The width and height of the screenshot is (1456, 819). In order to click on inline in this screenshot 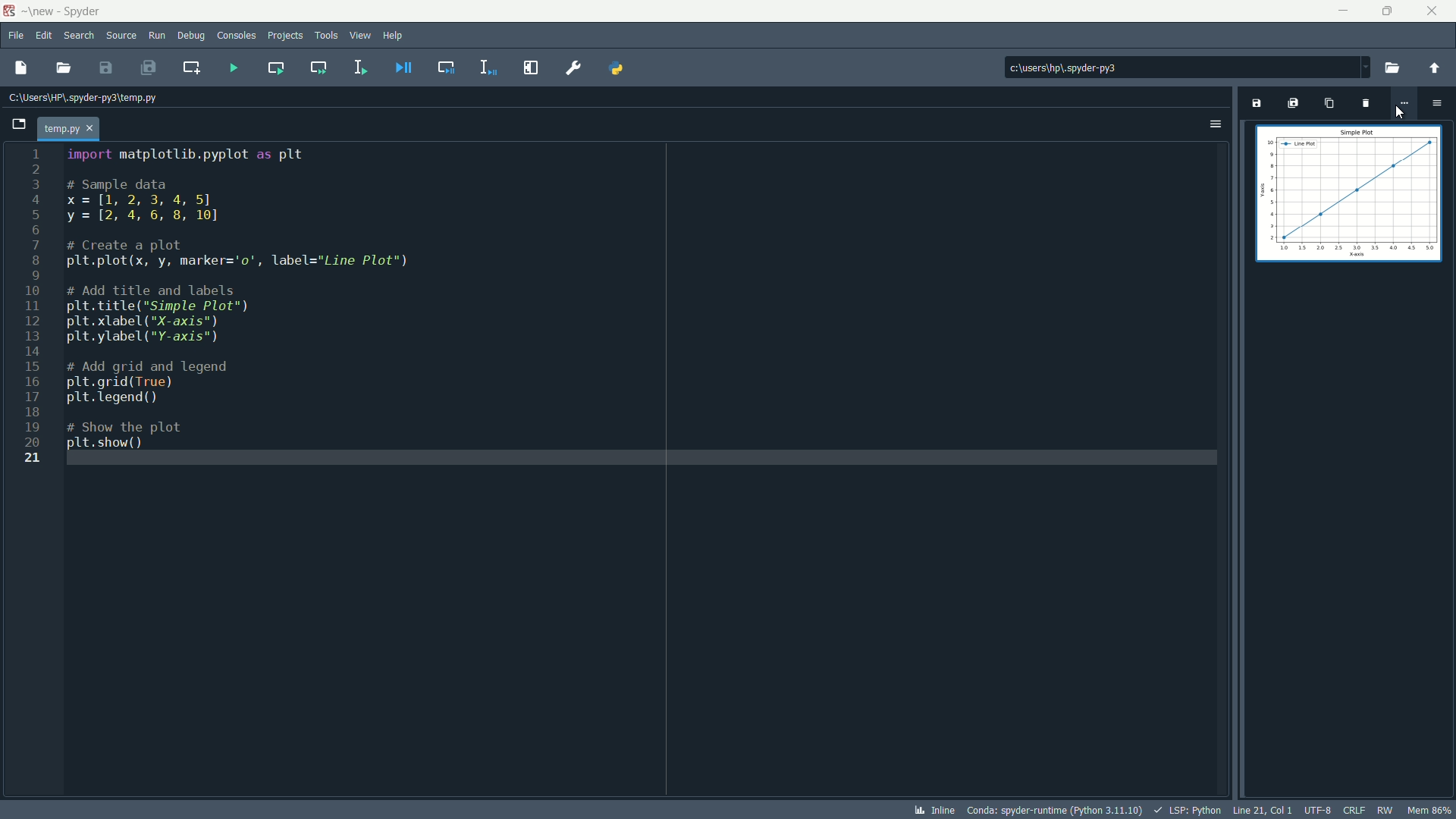, I will do `click(934, 810)`.